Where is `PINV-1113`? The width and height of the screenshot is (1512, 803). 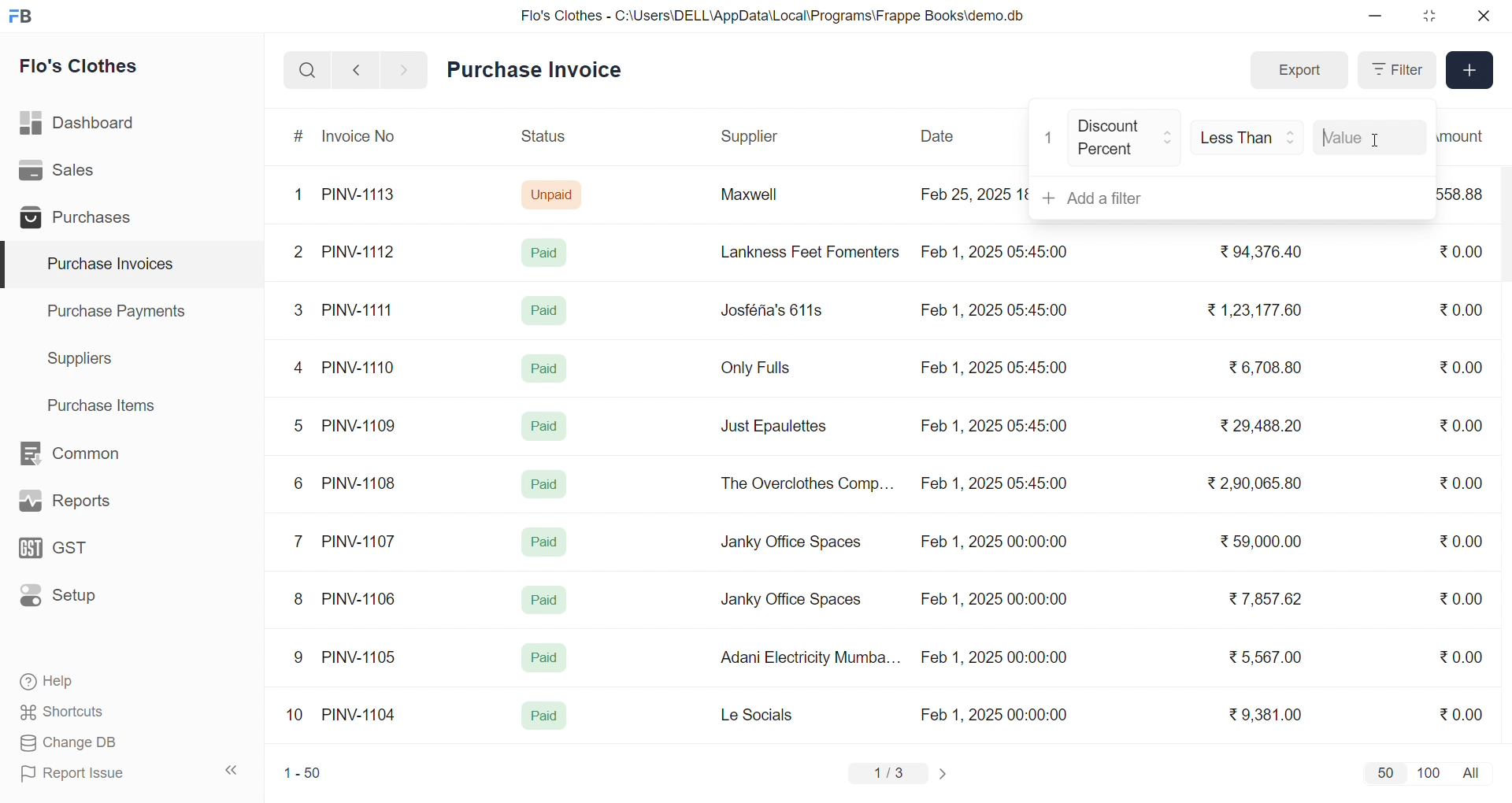
PINV-1113 is located at coordinates (365, 196).